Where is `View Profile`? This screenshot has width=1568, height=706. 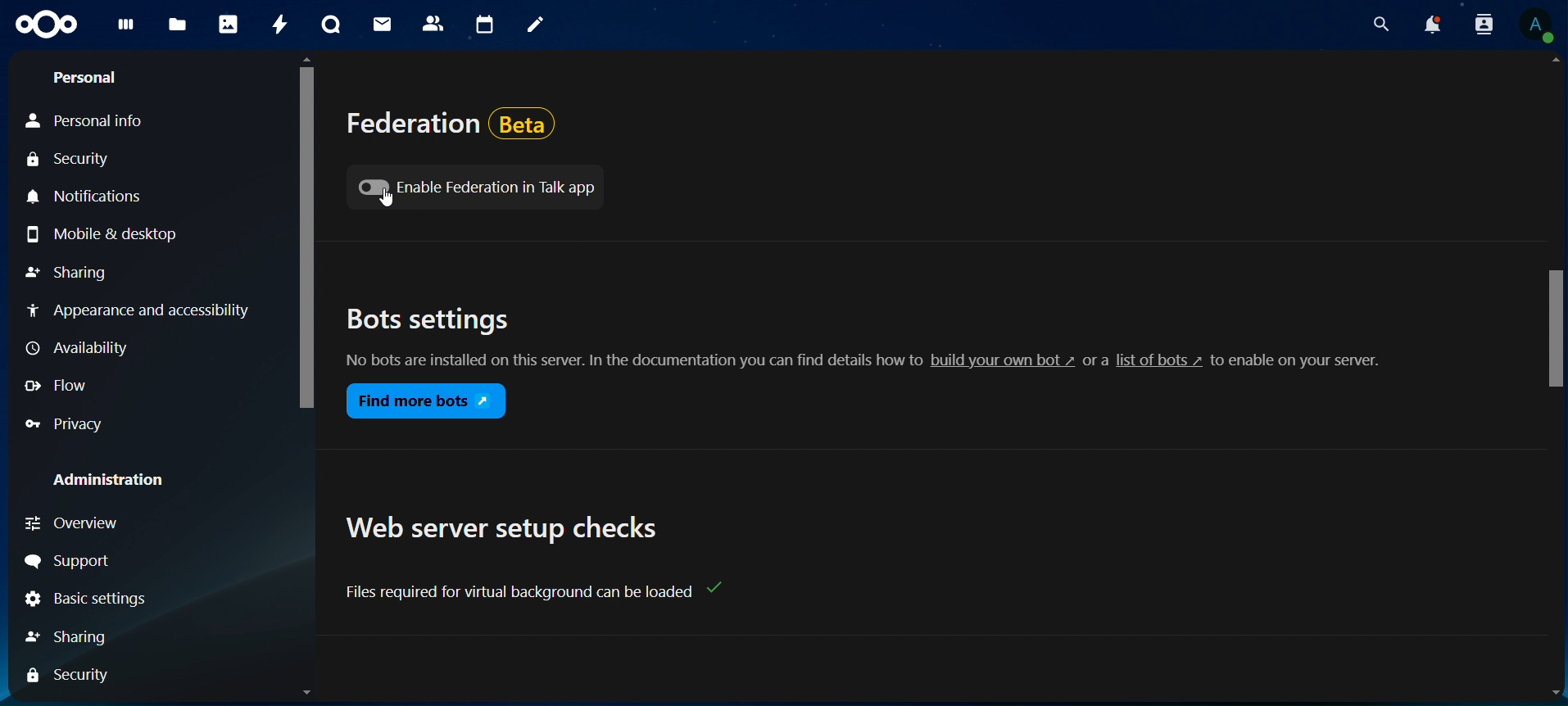
View Profile is located at coordinates (1537, 25).